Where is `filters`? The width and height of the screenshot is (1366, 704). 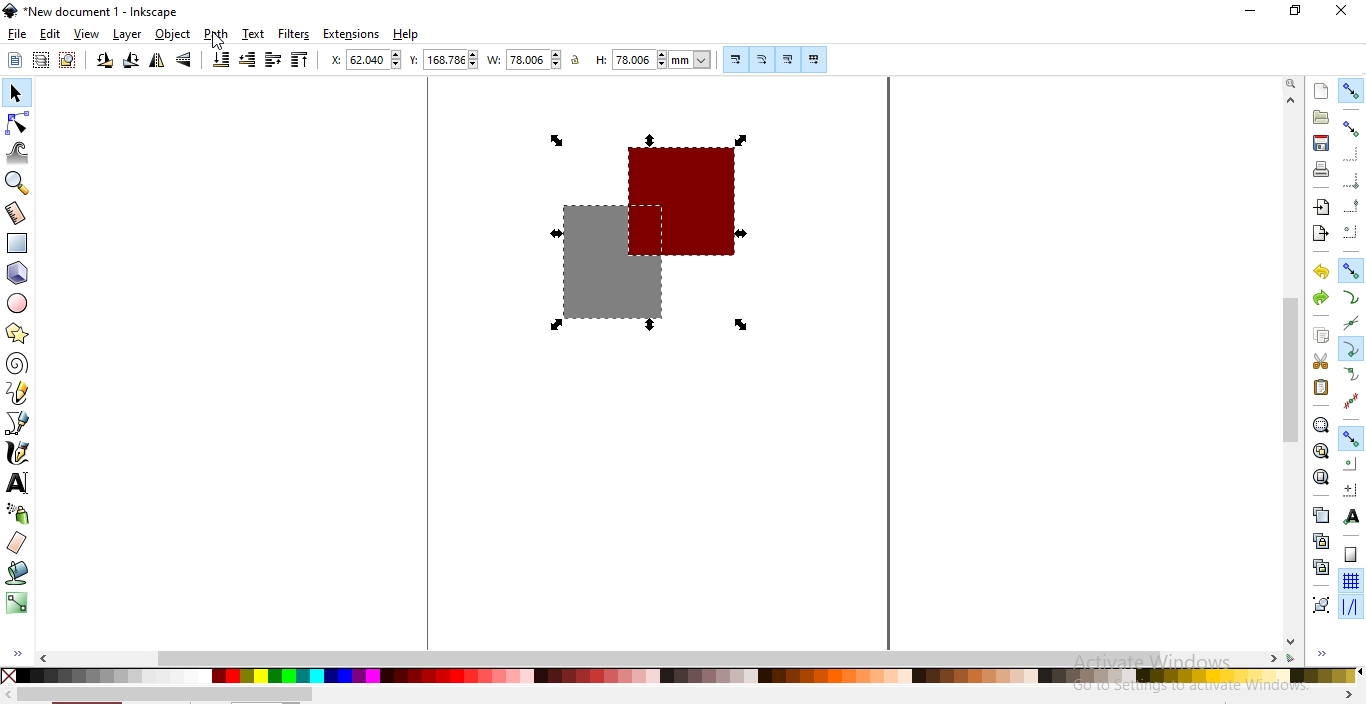 filters is located at coordinates (293, 35).